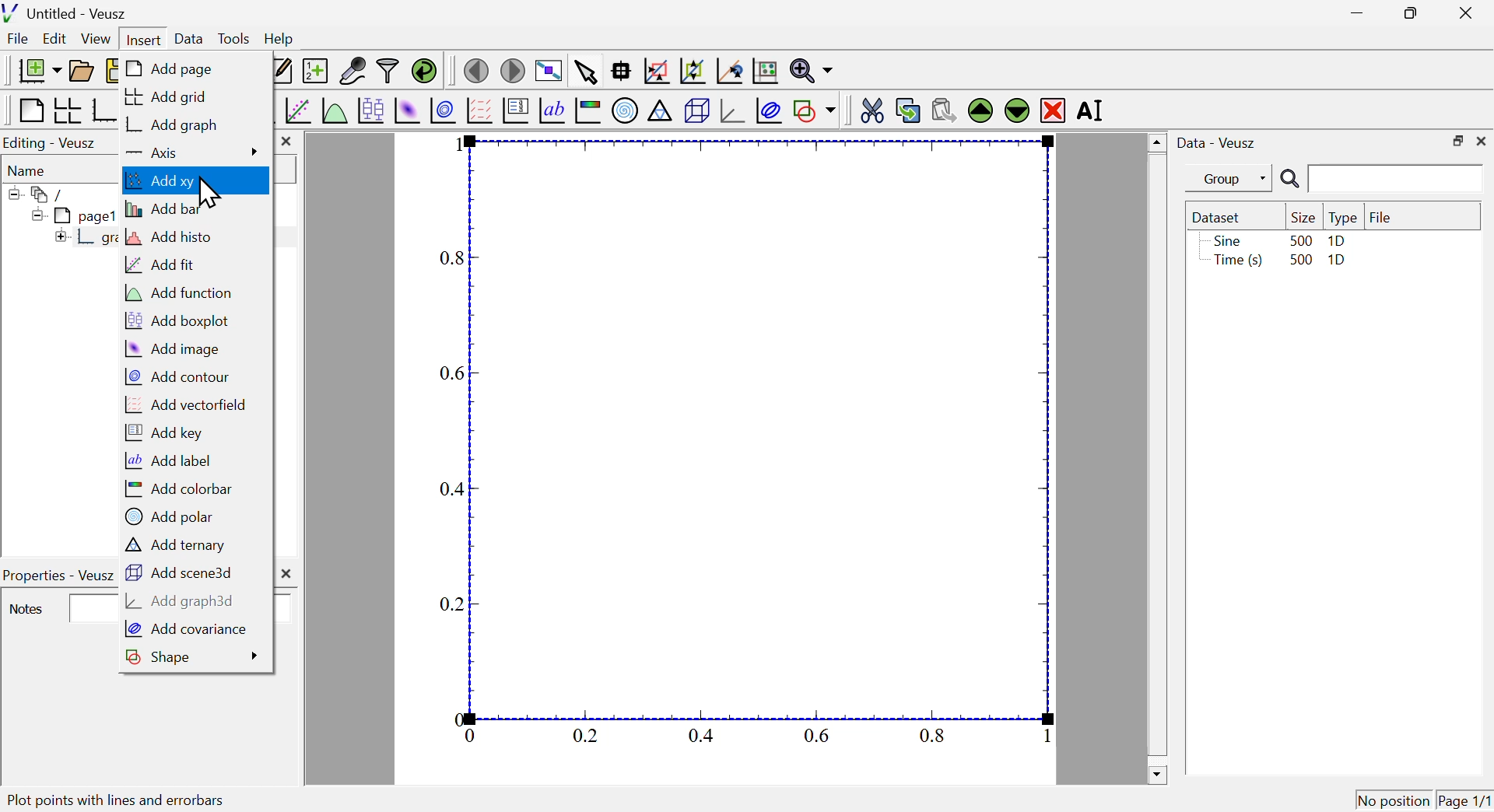 This screenshot has height=812, width=1494. What do you see at coordinates (423, 70) in the screenshot?
I see `reload linked datasets` at bounding box center [423, 70].